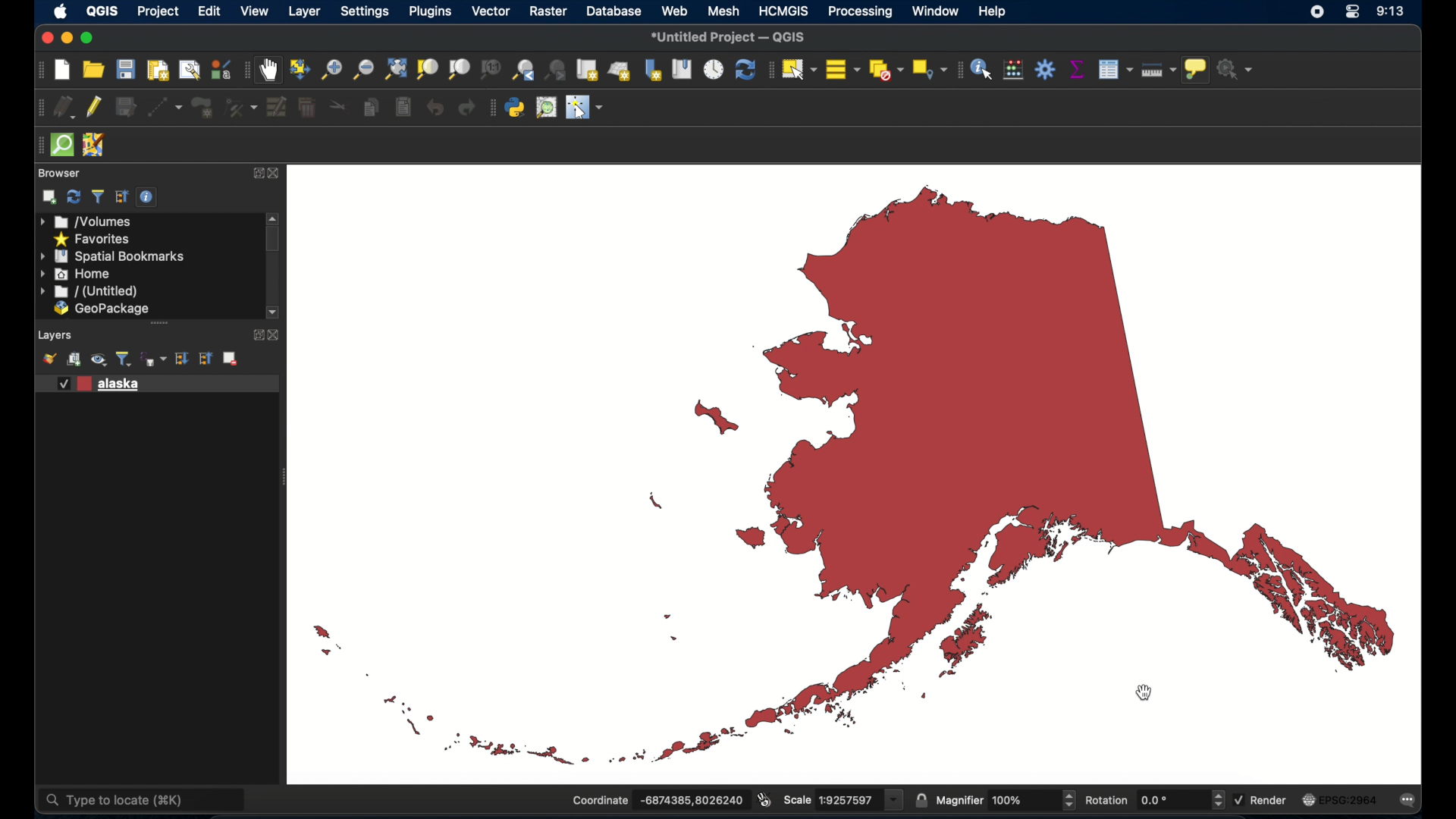  What do you see at coordinates (199, 105) in the screenshot?
I see `add polygon feature` at bounding box center [199, 105].